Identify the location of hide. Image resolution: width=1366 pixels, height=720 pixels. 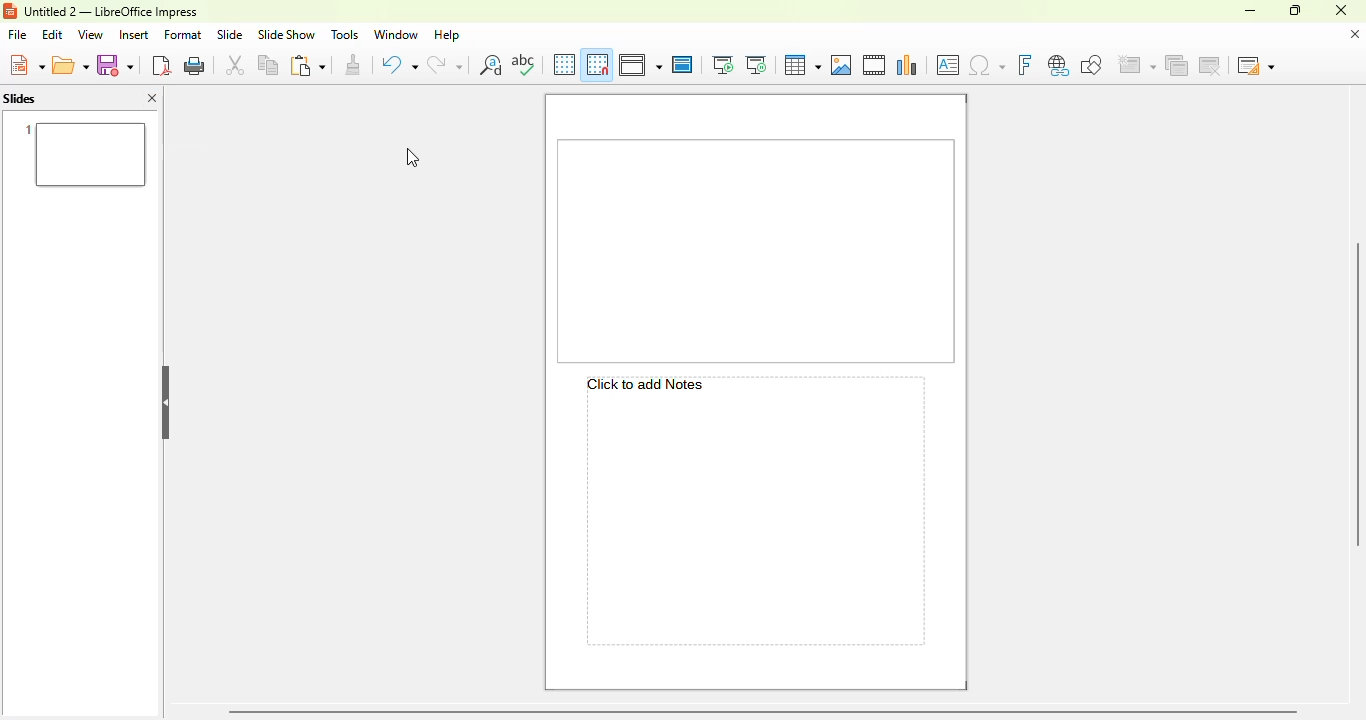
(166, 402).